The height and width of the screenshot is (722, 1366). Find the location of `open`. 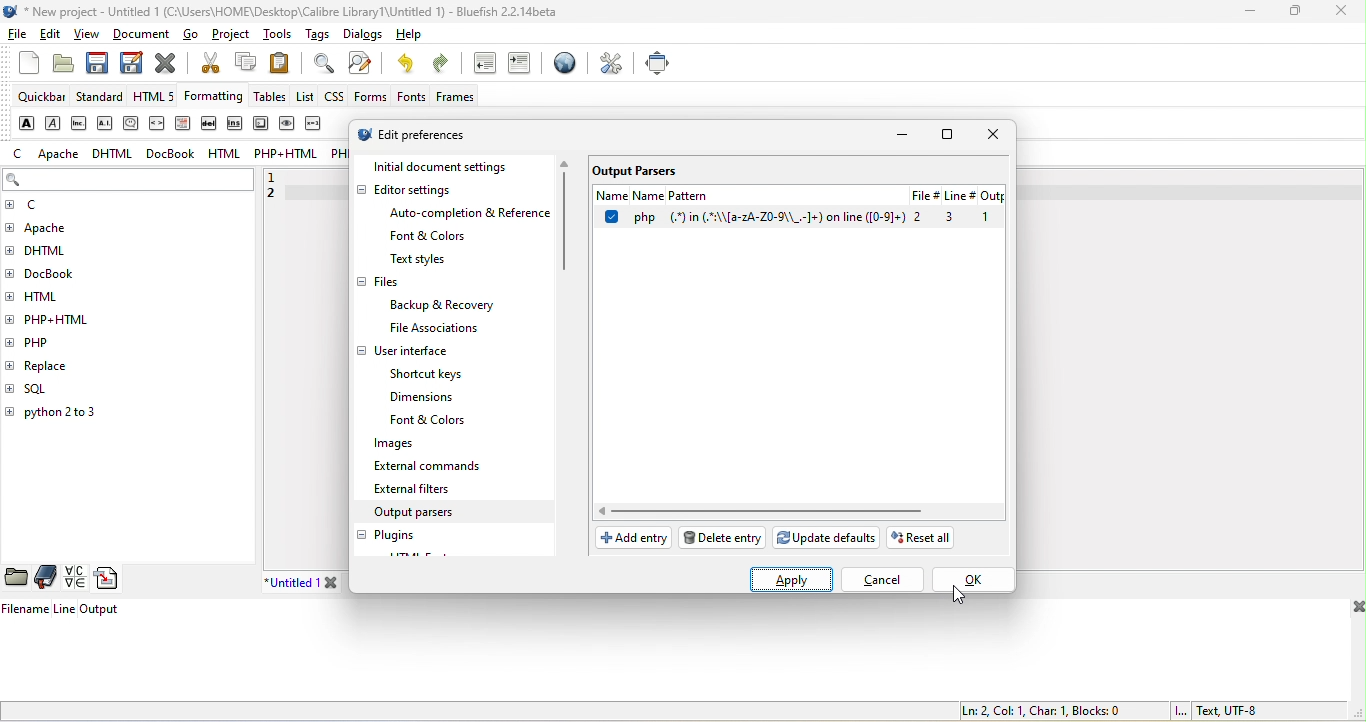

open is located at coordinates (62, 64).